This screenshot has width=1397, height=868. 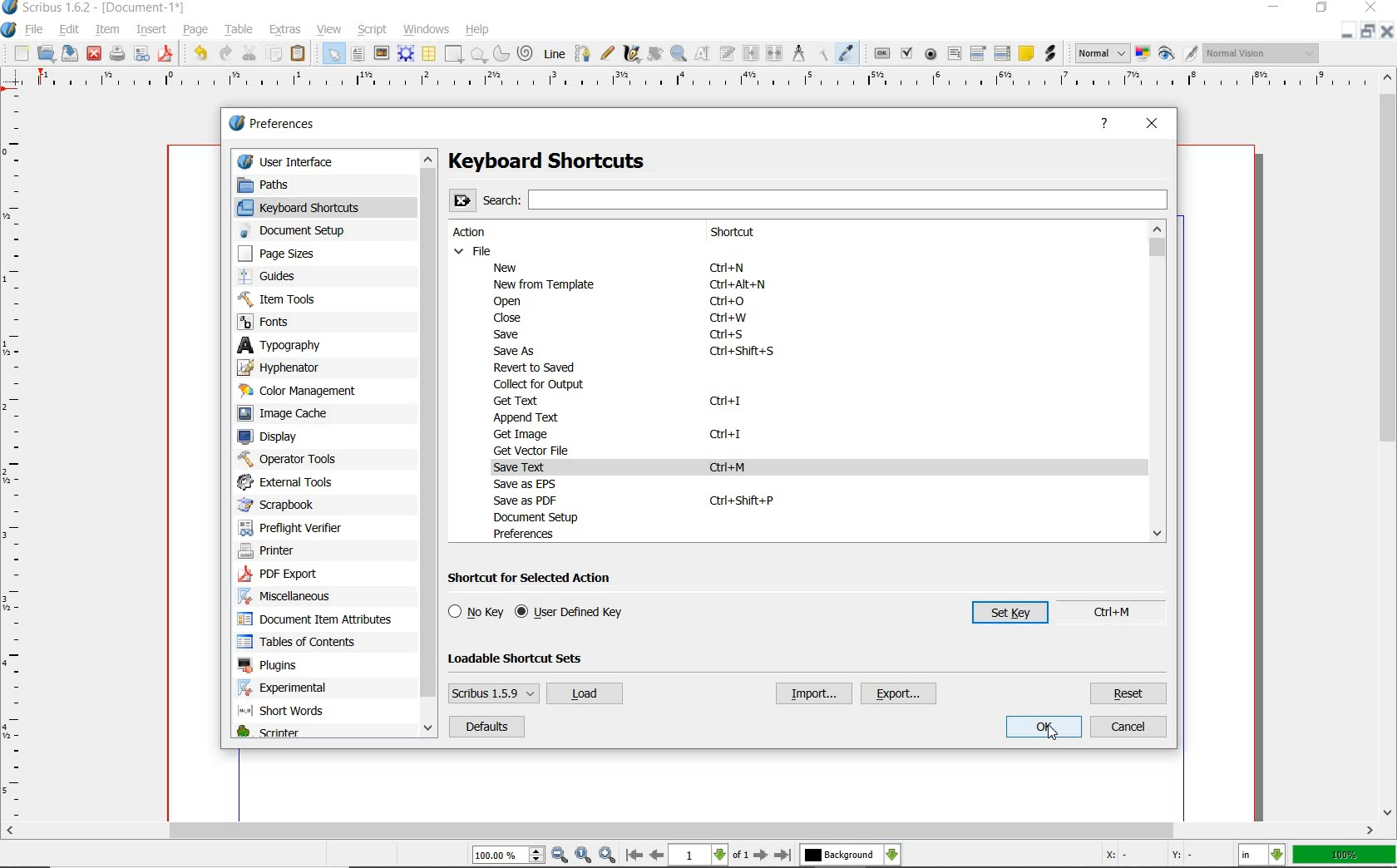 I want to click on document item attributes, so click(x=320, y=620).